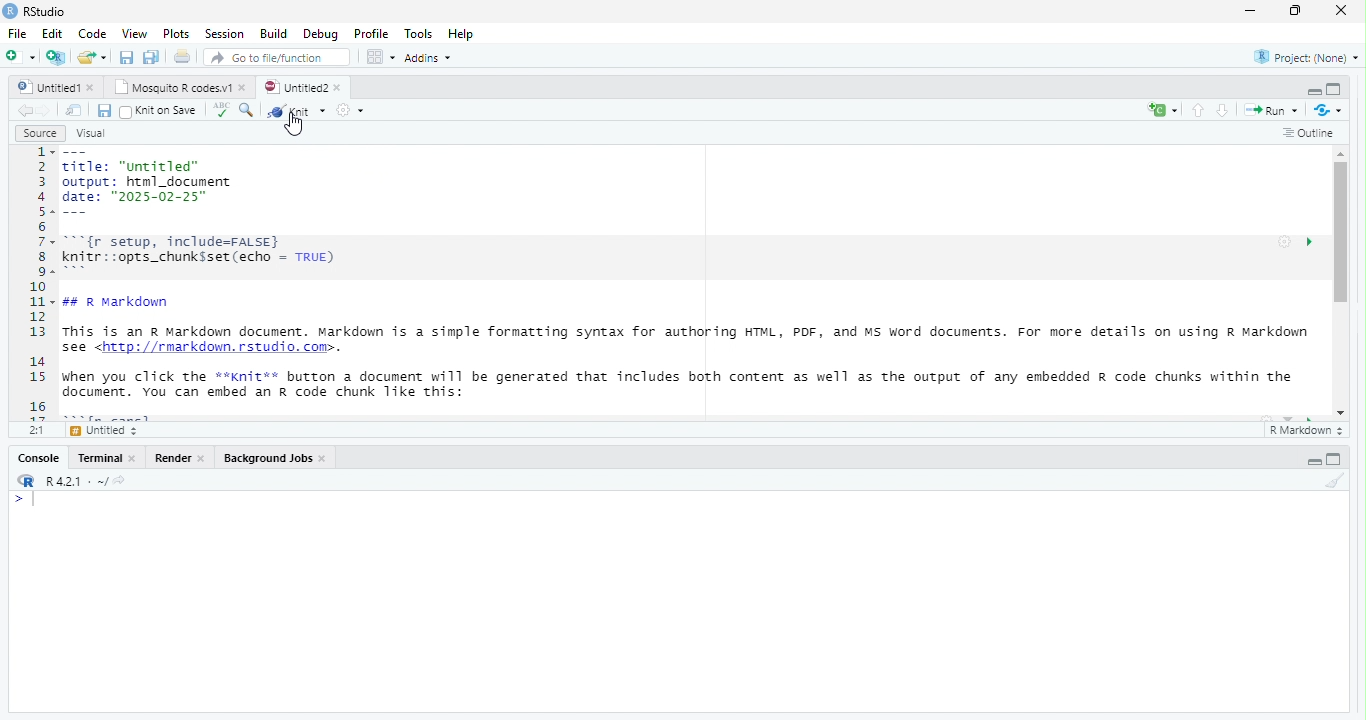 This screenshot has height=720, width=1366. What do you see at coordinates (227, 34) in the screenshot?
I see `Session` at bounding box center [227, 34].